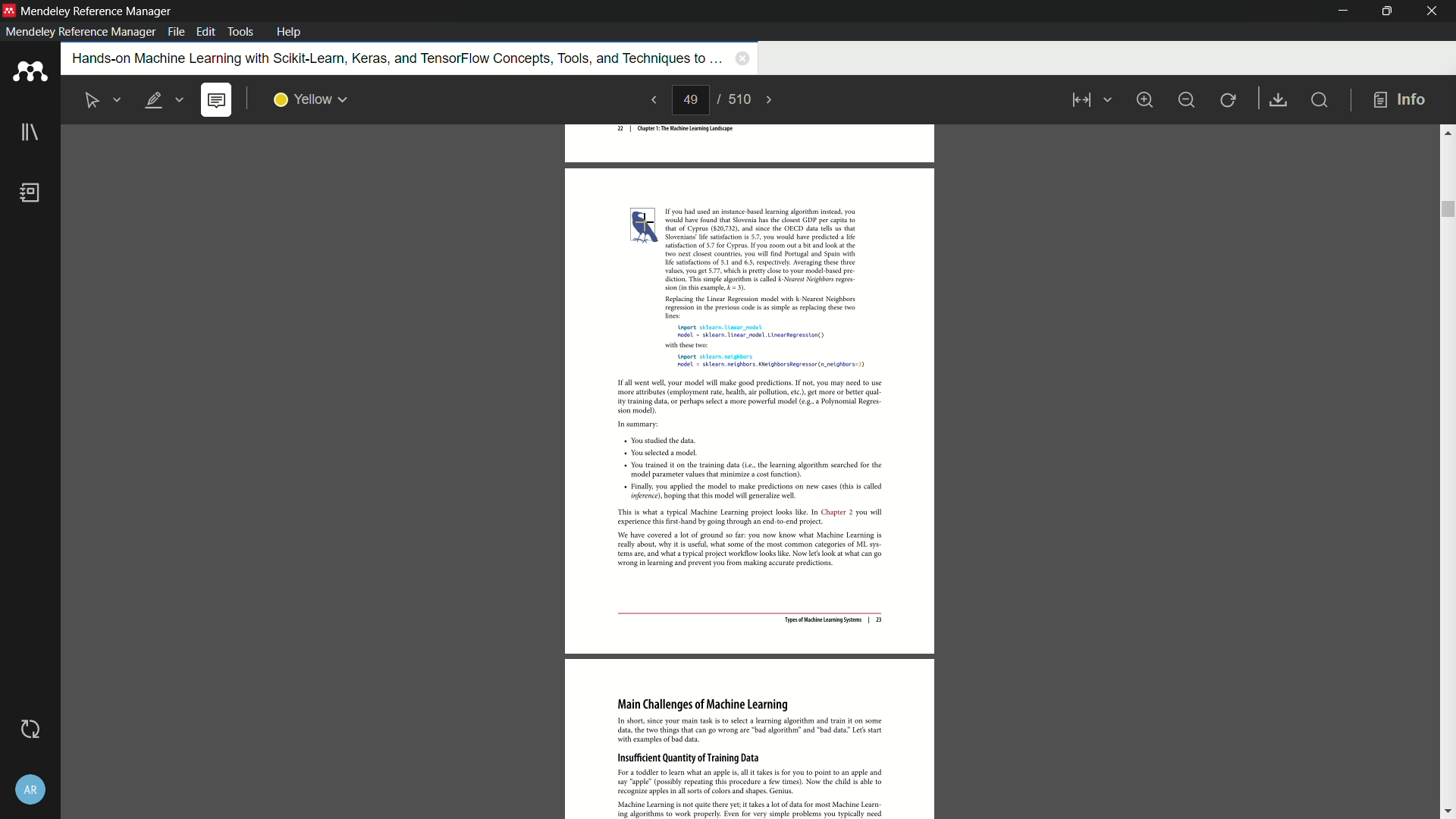 Image resolution: width=1456 pixels, height=819 pixels. What do you see at coordinates (651, 101) in the screenshot?
I see `previous page` at bounding box center [651, 101].